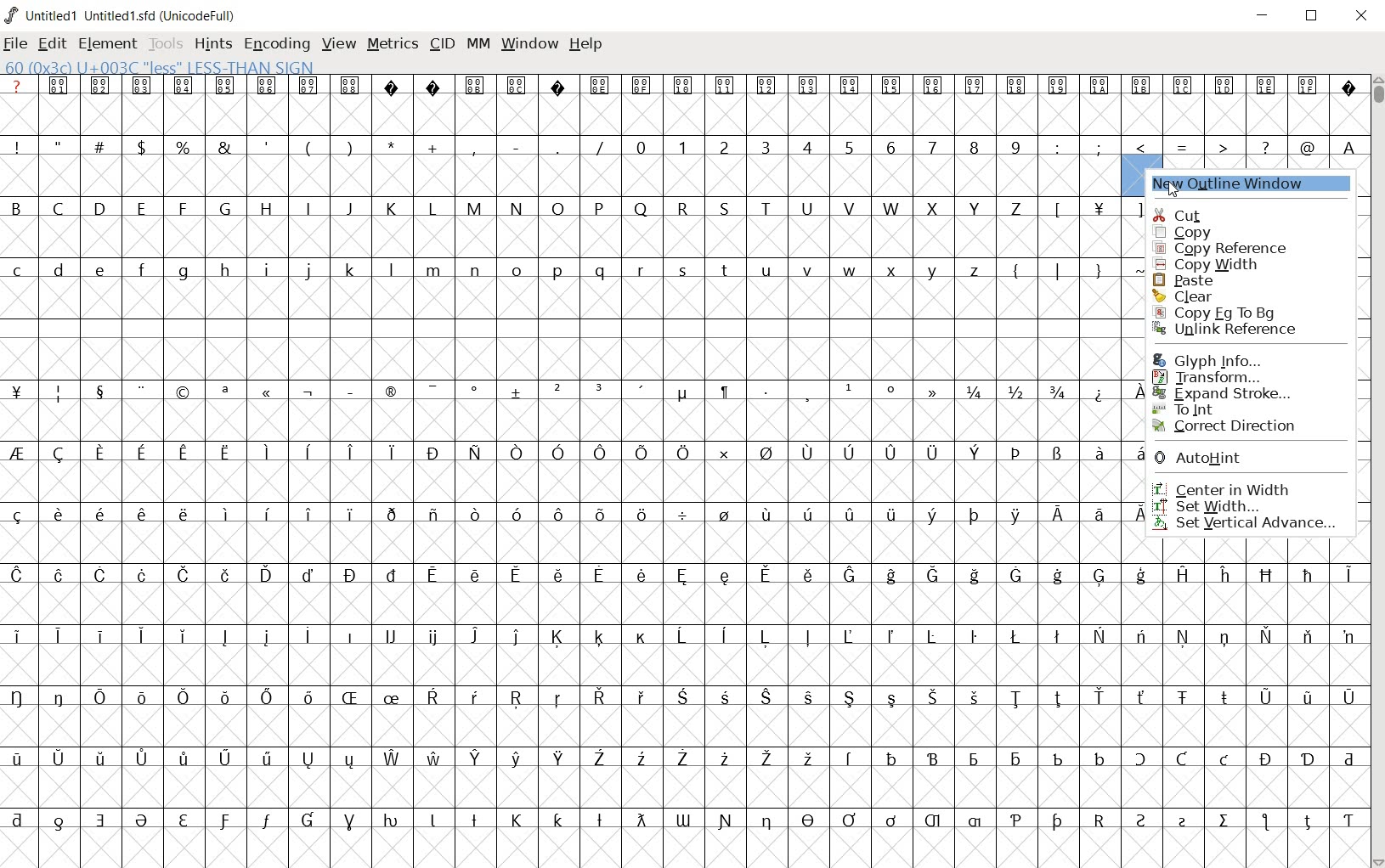  Describe the element at coordinates (1185, 144) in the screenshot. I see `symbols` at that location.